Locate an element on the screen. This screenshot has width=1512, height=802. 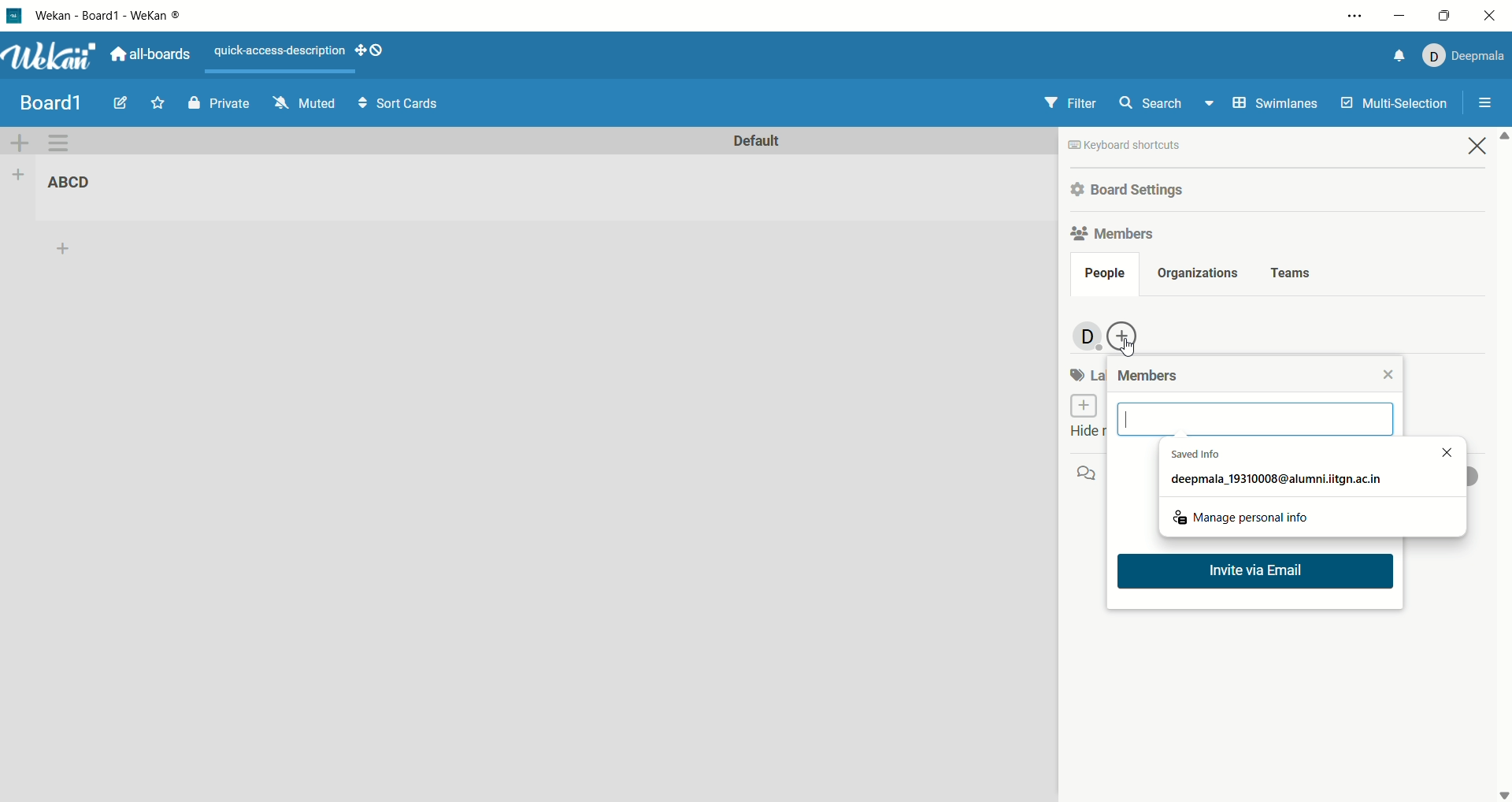
sort cards is located at coordinates (399, 102).